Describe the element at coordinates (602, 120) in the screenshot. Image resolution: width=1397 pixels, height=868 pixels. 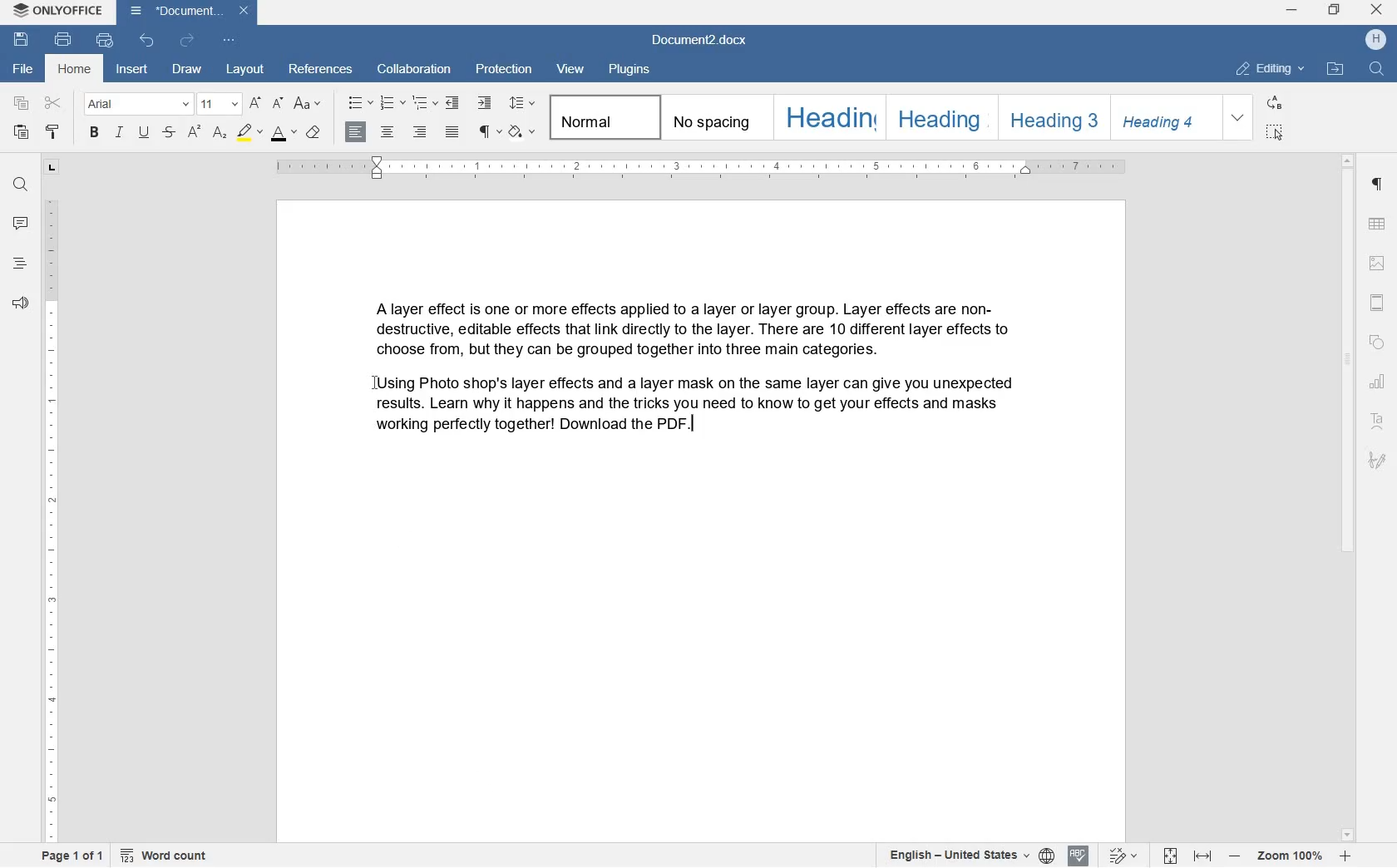
I see `NORMAL` at that location.